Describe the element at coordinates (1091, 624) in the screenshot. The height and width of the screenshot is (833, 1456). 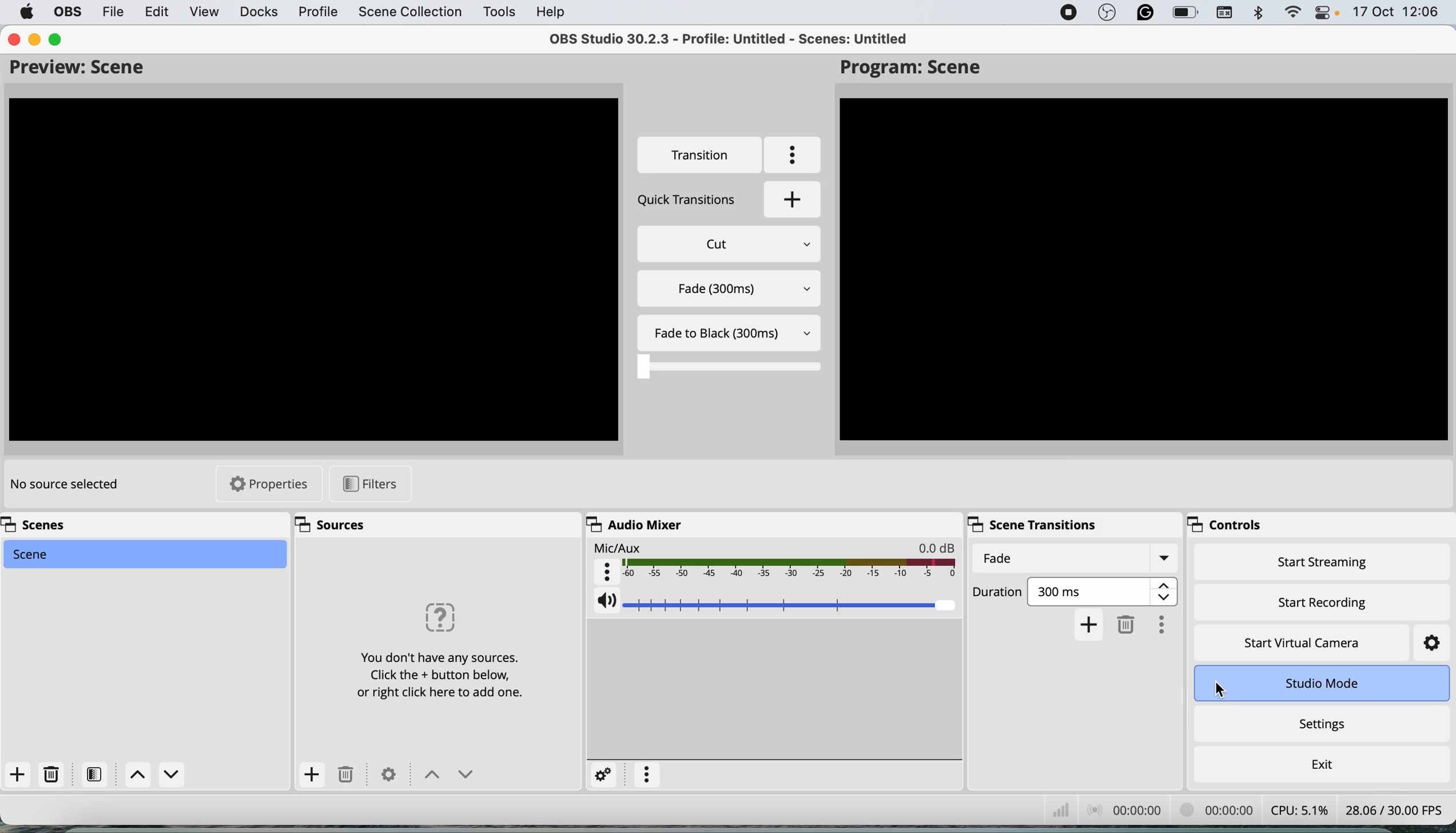
I see `add transition` at that location.